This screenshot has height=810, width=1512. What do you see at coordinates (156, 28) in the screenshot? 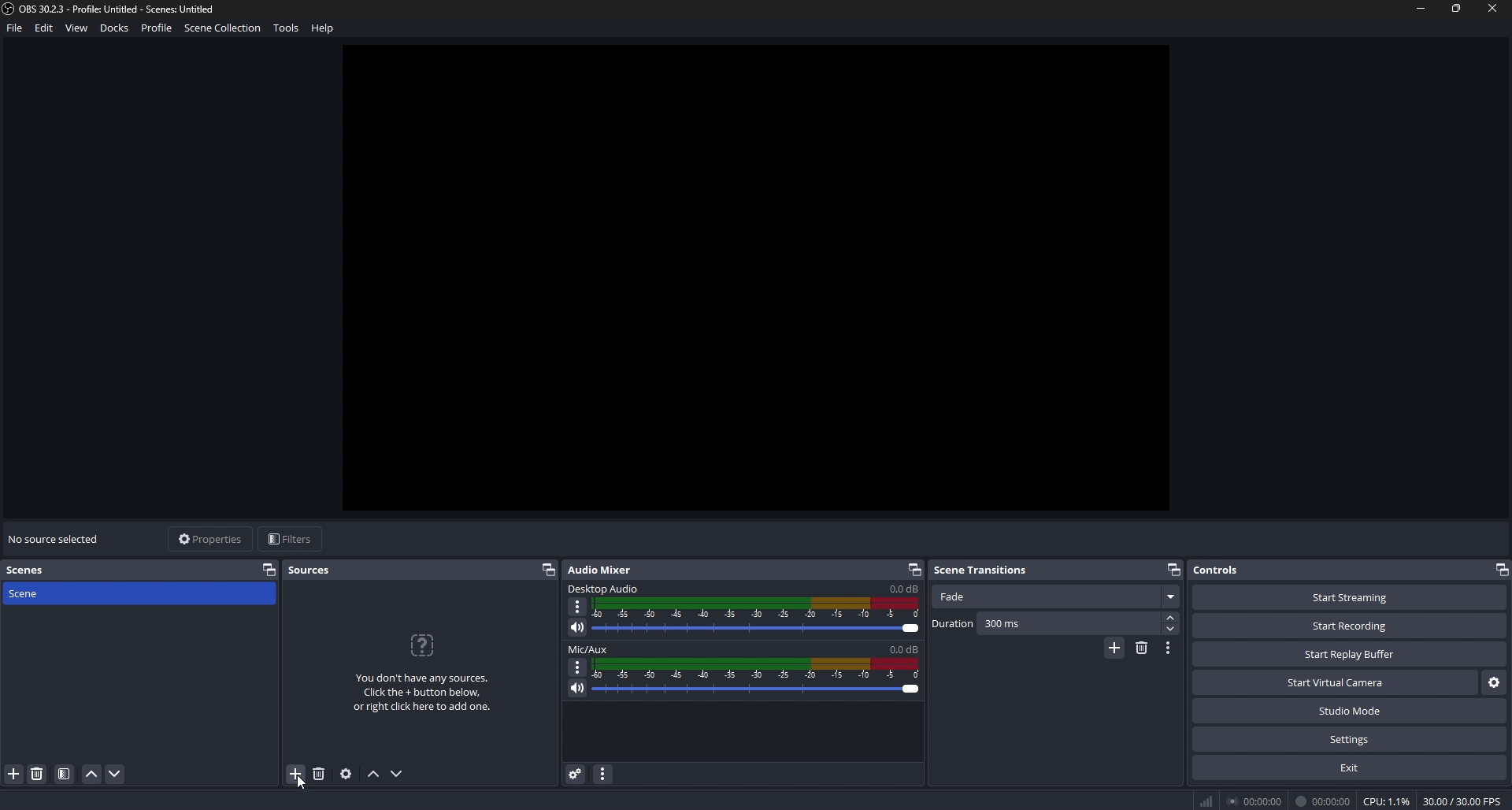
I see `profile` at bounding box center [156, 28].